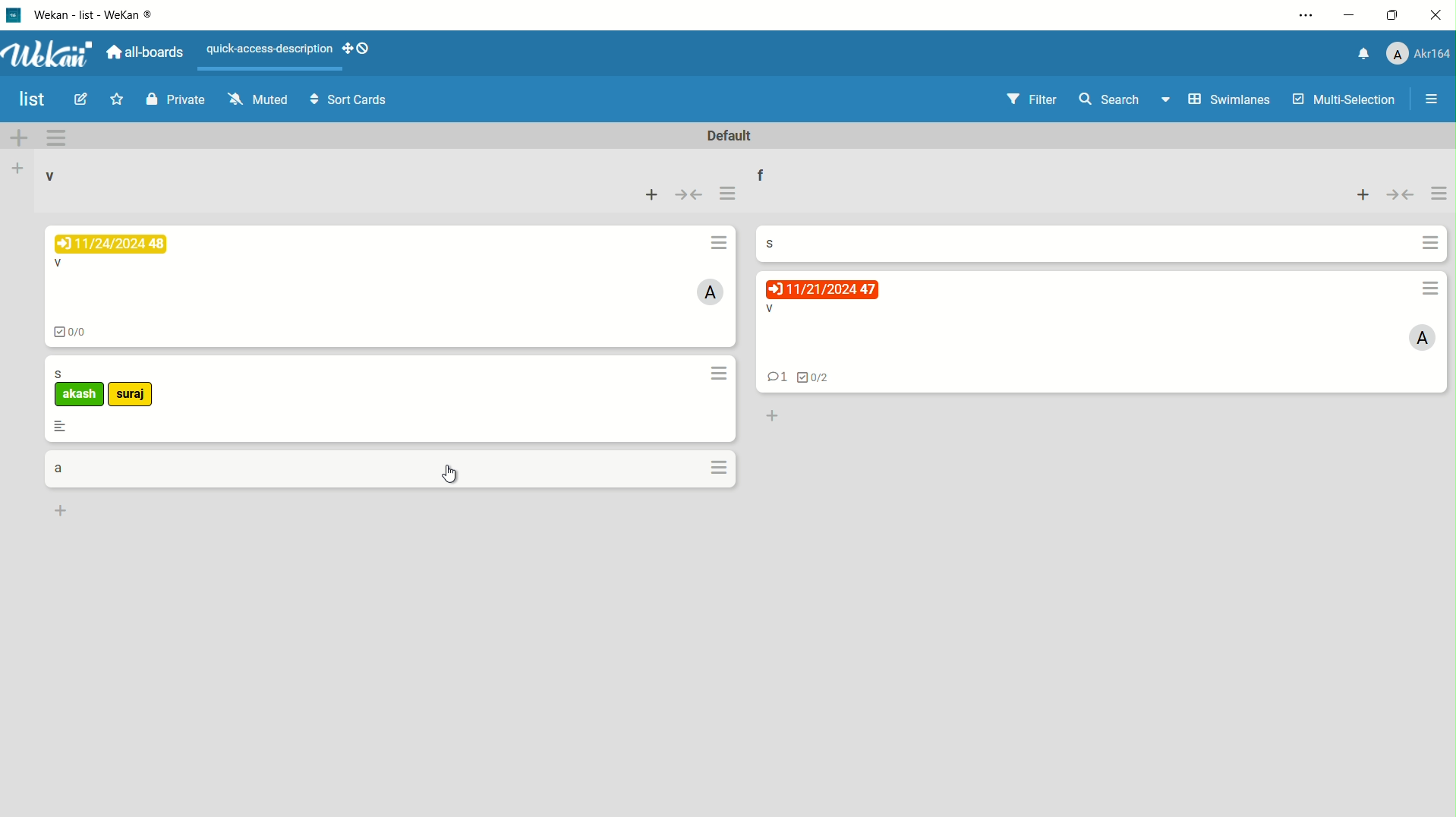  Describe the element at coordinates (1365, 195) in the screenshot. I see `add card to top of list` at that location.